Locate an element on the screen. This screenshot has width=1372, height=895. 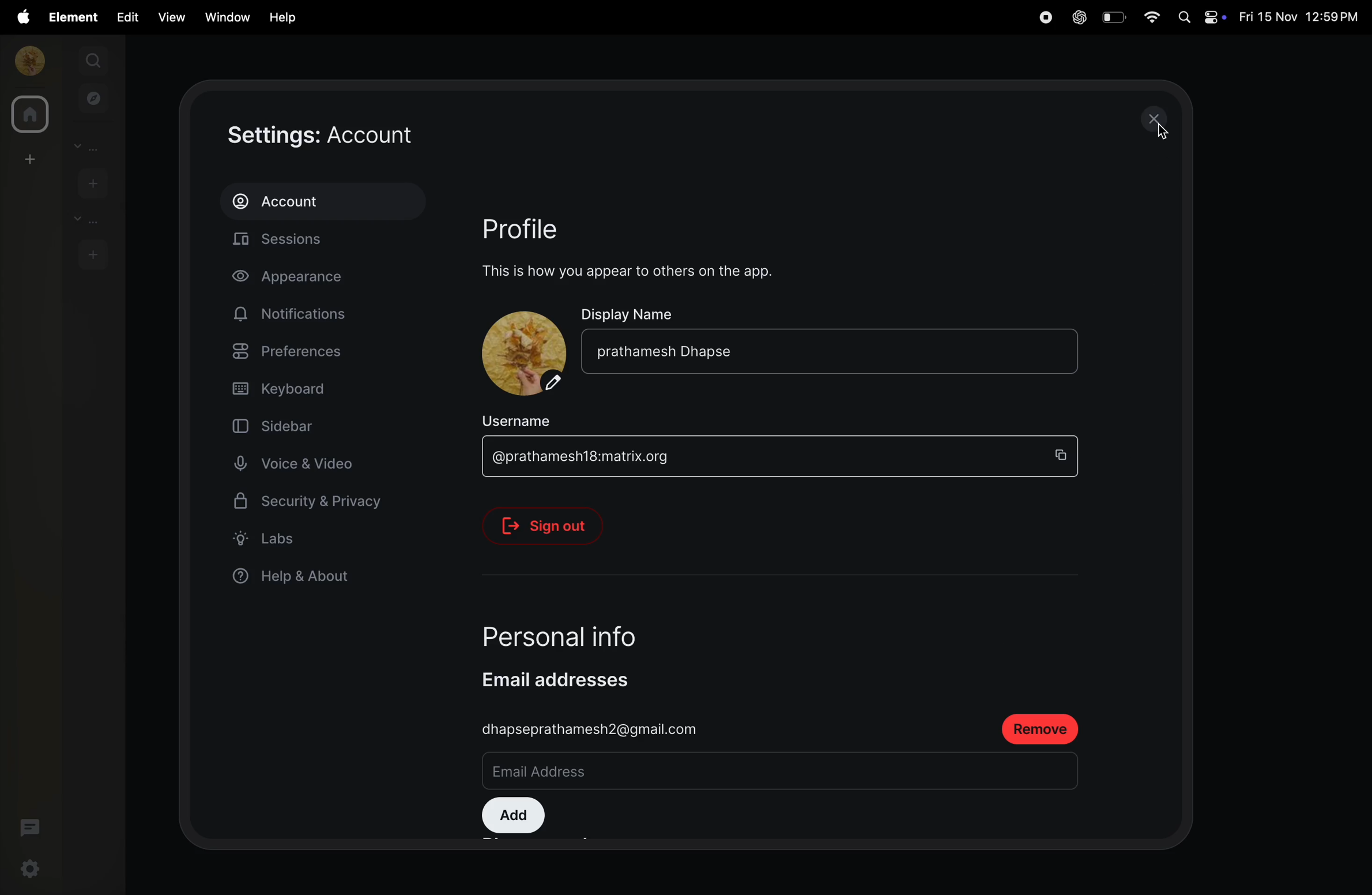
settings account is located at coordinates (360, 136).